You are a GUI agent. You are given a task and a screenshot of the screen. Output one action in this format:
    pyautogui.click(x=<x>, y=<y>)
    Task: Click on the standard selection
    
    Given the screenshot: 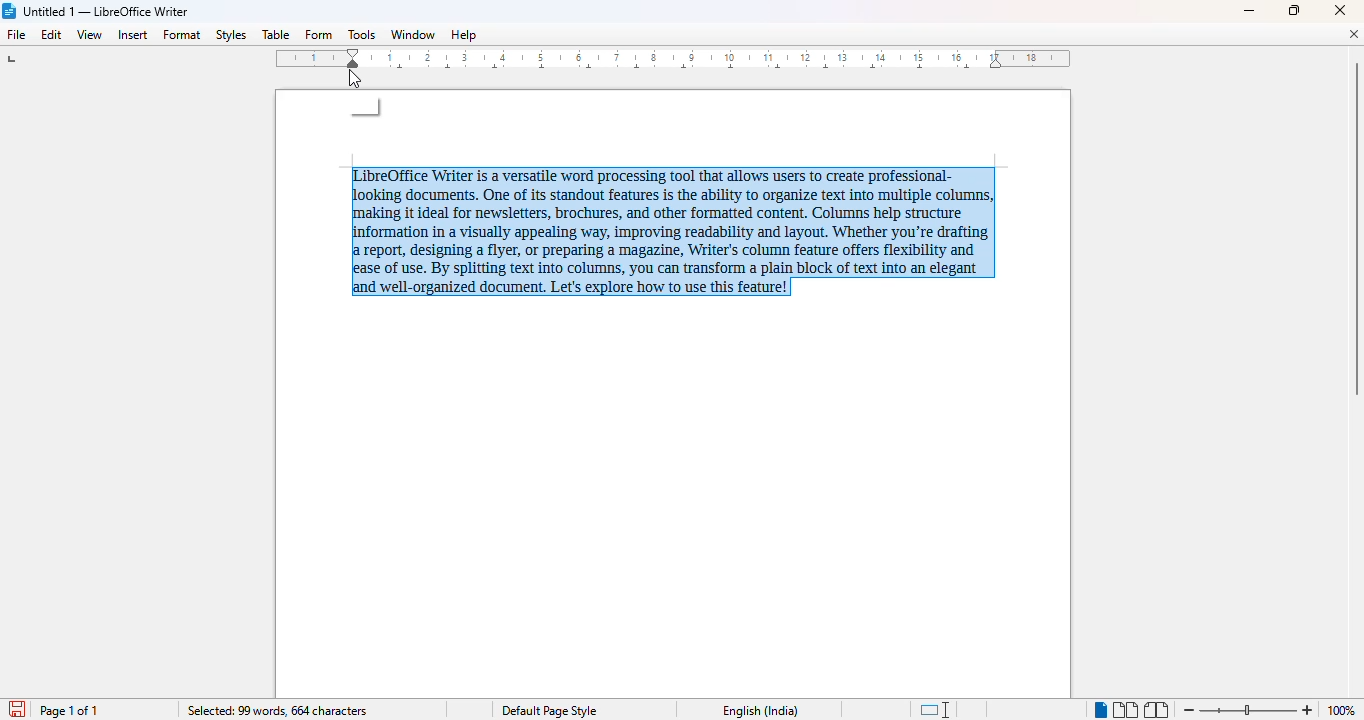 What is the action you would take?
    pyautogui.click(x=936, y=709)
    